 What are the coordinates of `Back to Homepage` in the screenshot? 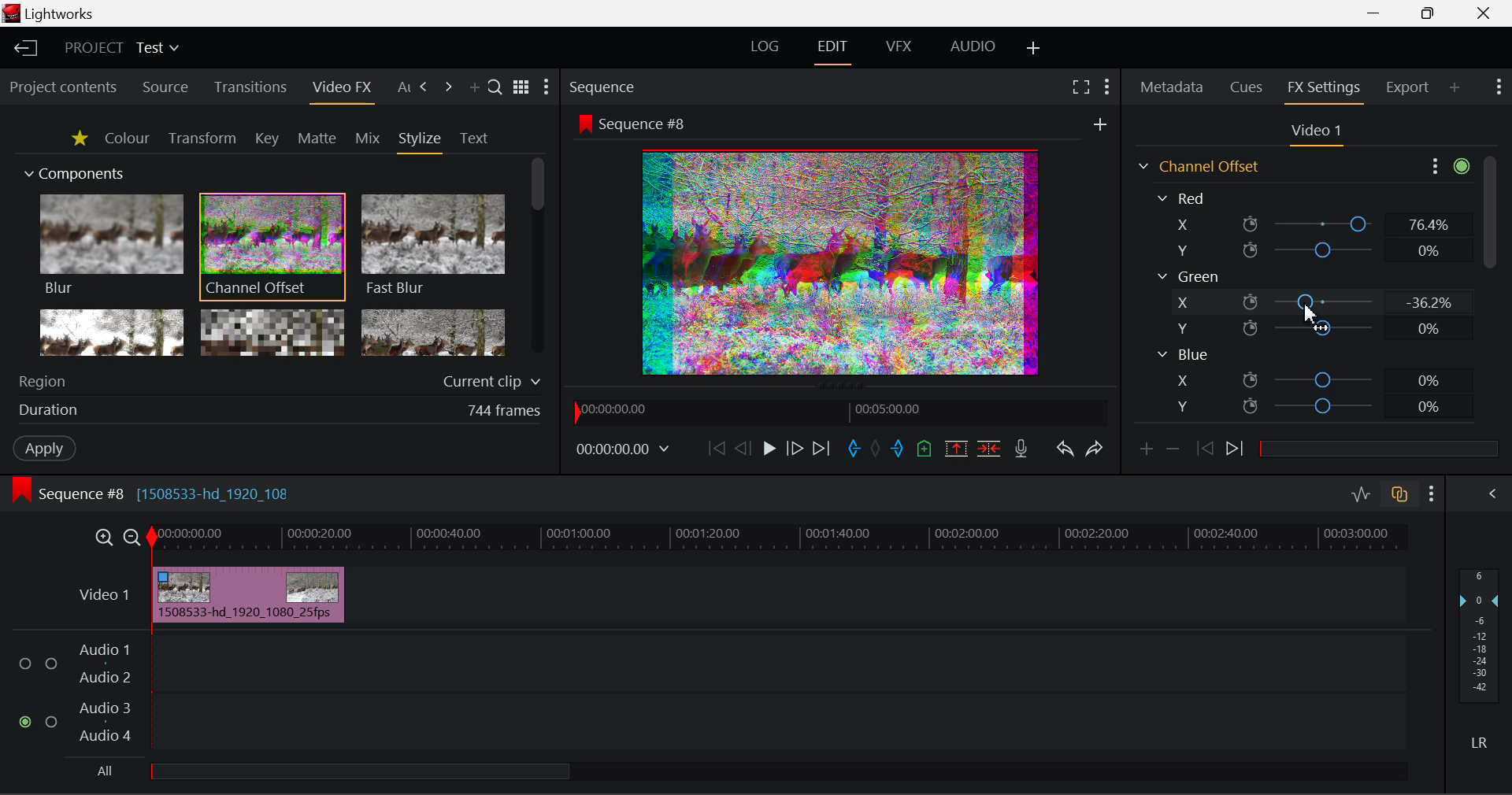 It's located at (24, 49).